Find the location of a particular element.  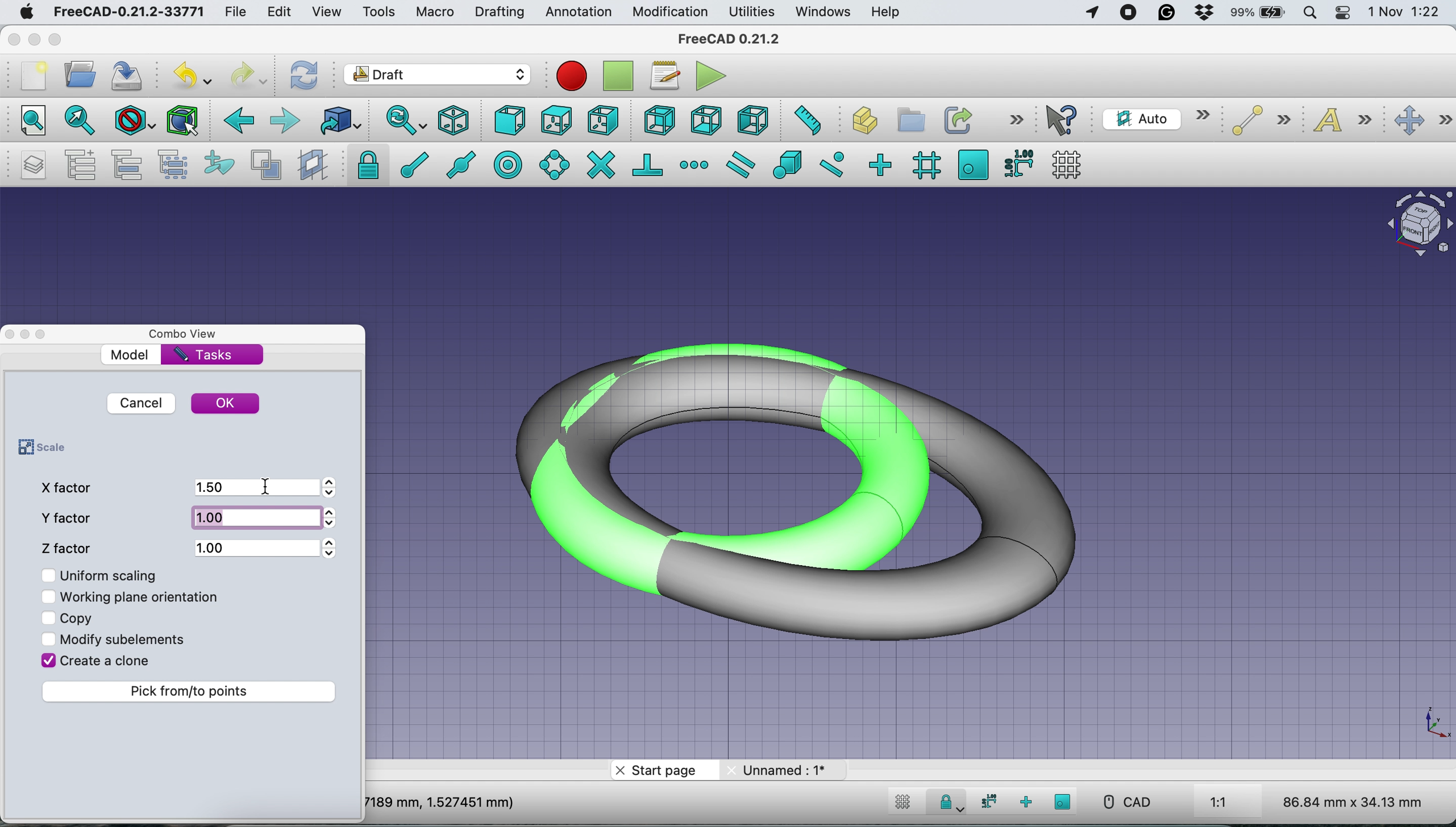

y factor is located at coordinates (70, 517).